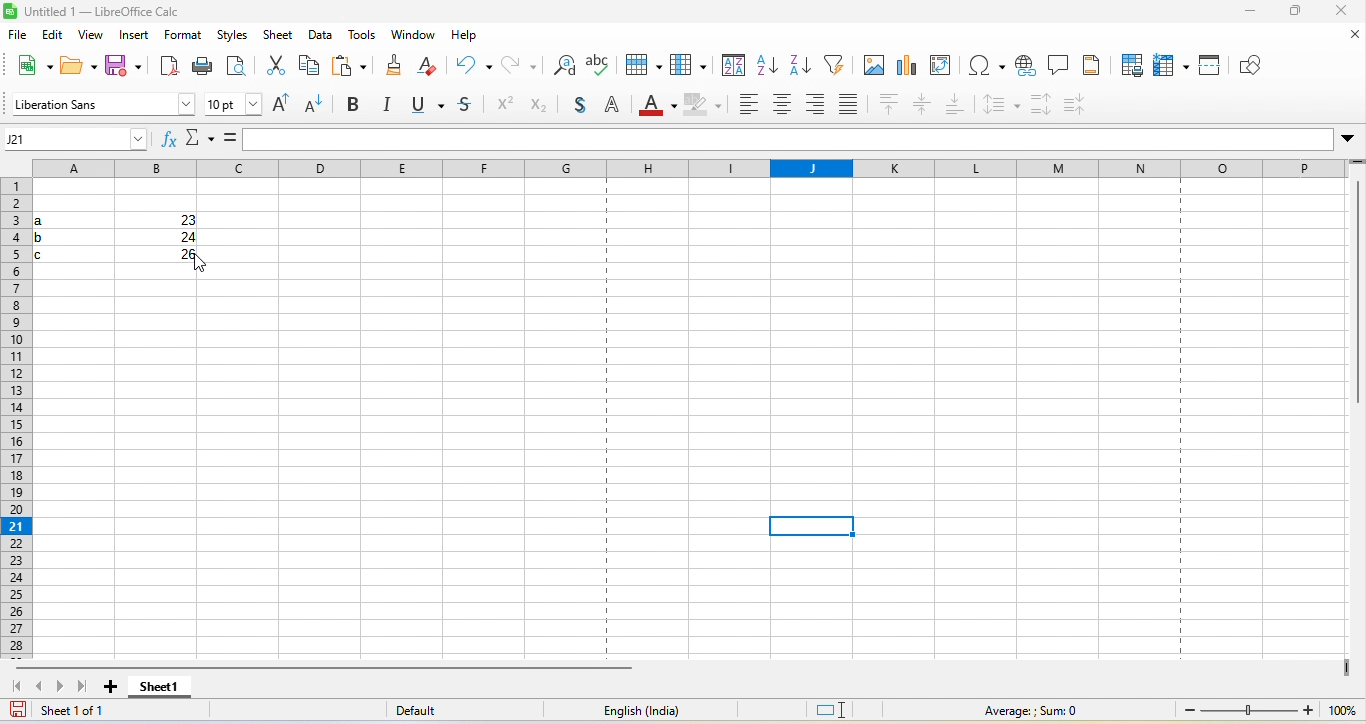  What do you see at coordinates (1056, 710) in the screenshot?
I see `average, sum=0` at bounding box center [1056, 710].